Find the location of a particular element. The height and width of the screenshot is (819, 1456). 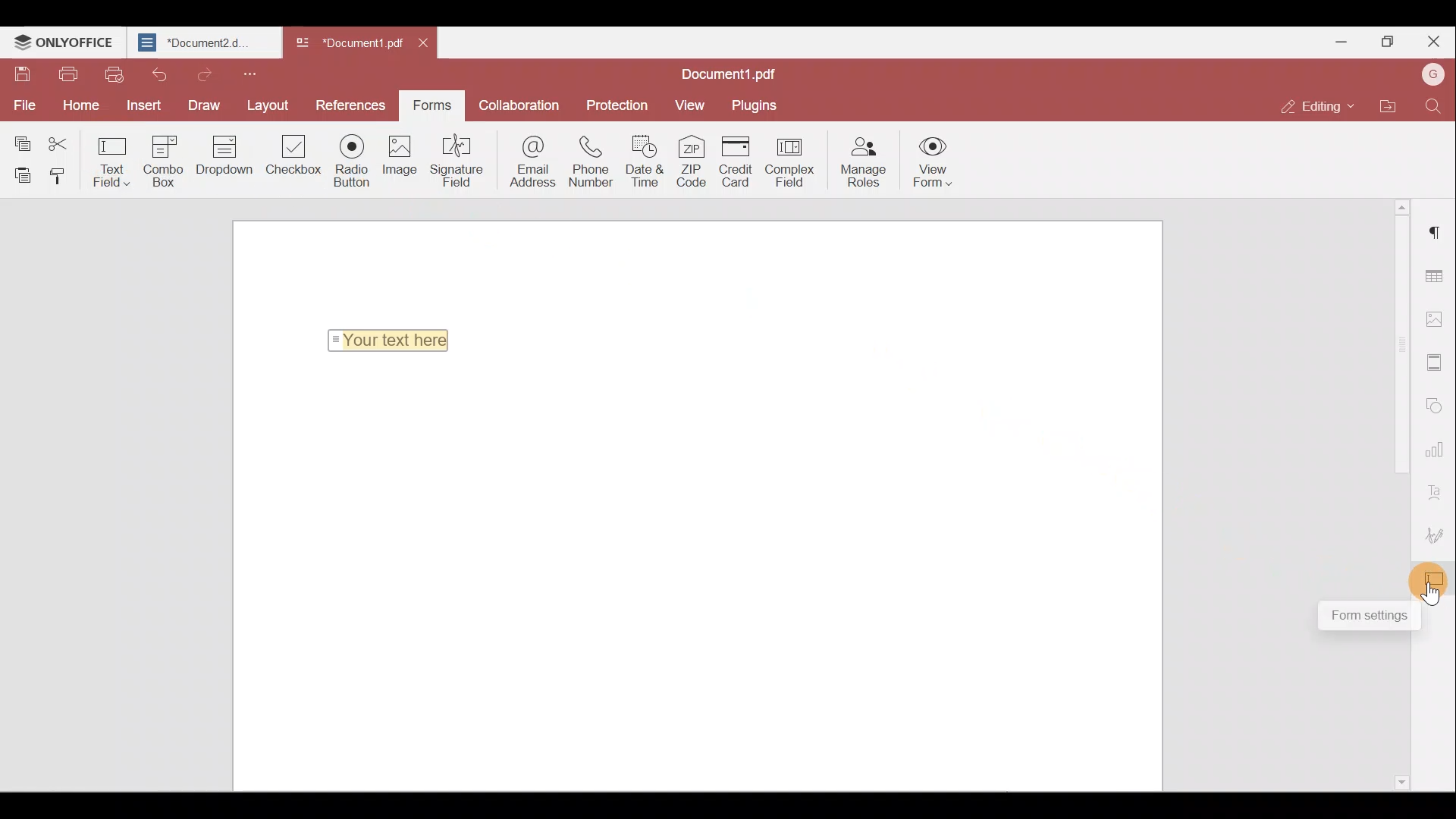

Image is located at coordinates (406, 161).